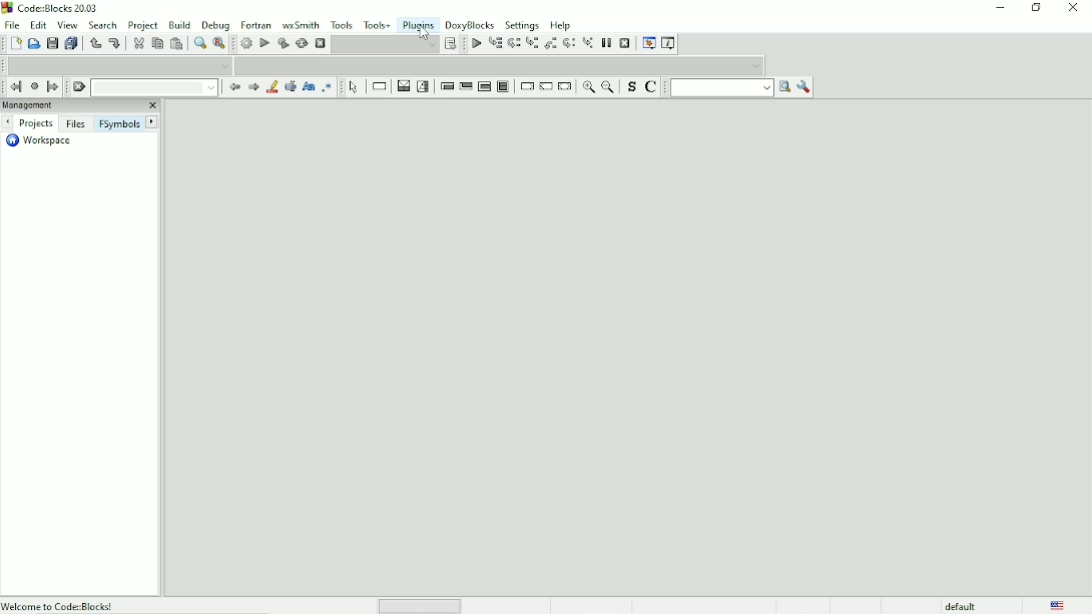 The image size is (1092, 614). What do you see at coordinates (143, 24) in the screenshot?
I see `Project` at bounding box center [143, 24].